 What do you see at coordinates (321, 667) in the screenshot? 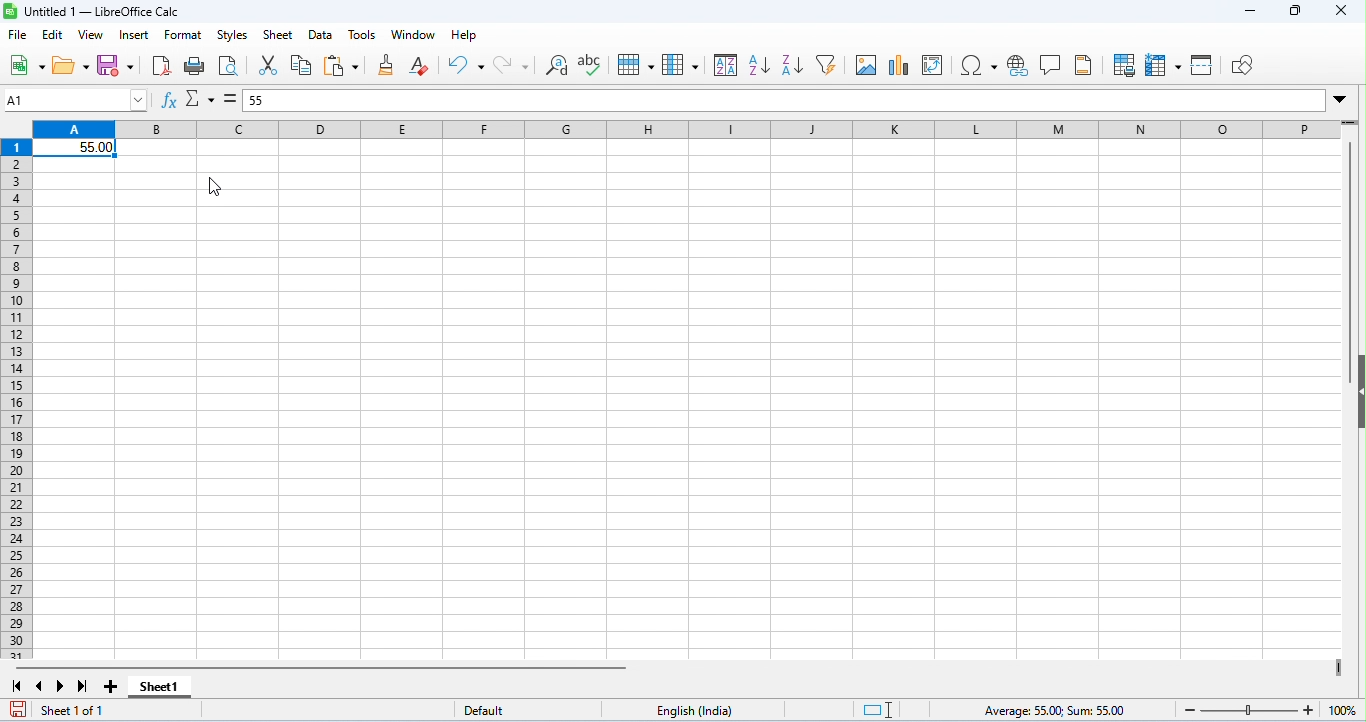
I see `horizontal scroll bar` at bounding box center [321, 667].